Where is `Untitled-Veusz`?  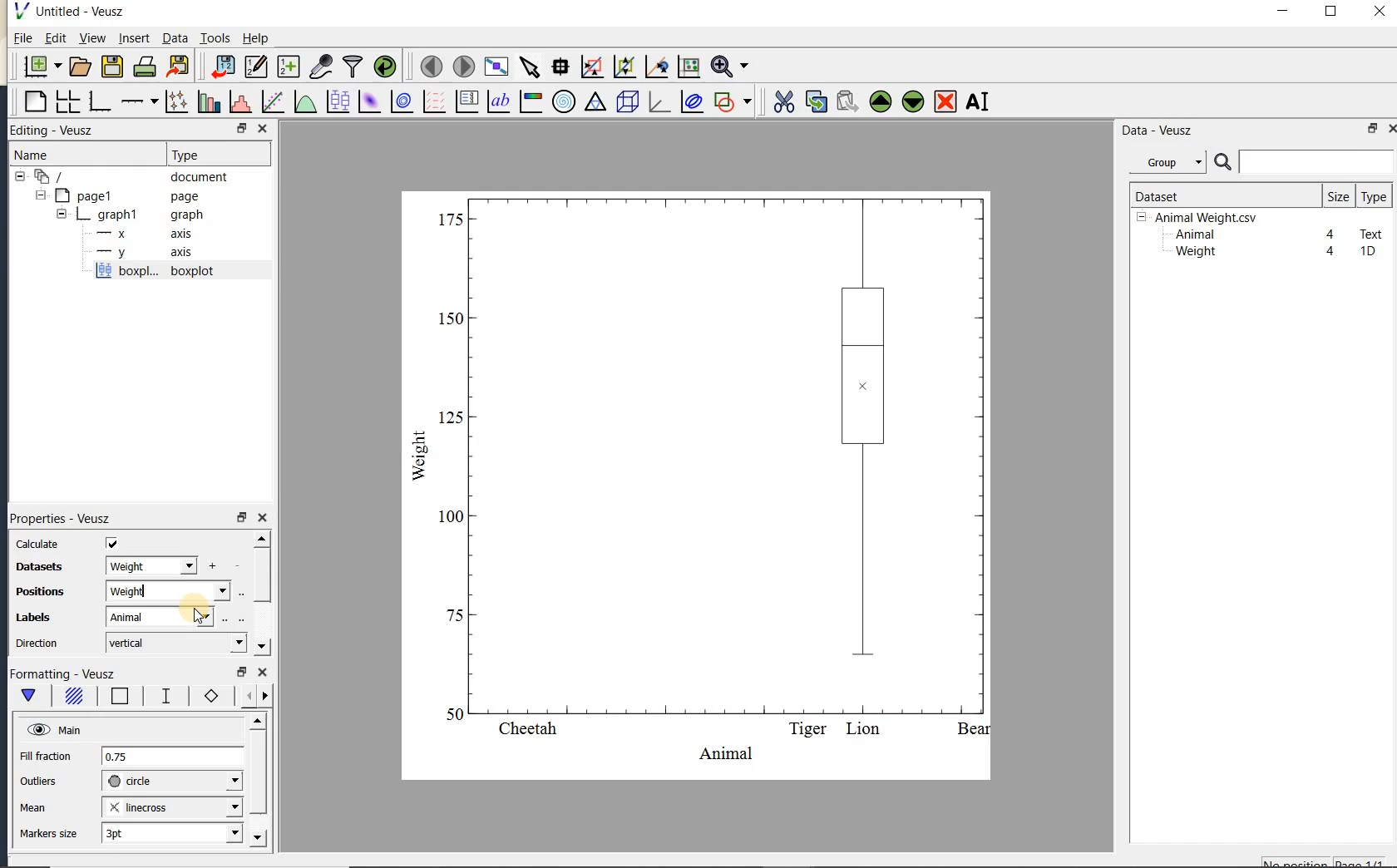
Untitled-Veusz is located at coordinates (74, 12).